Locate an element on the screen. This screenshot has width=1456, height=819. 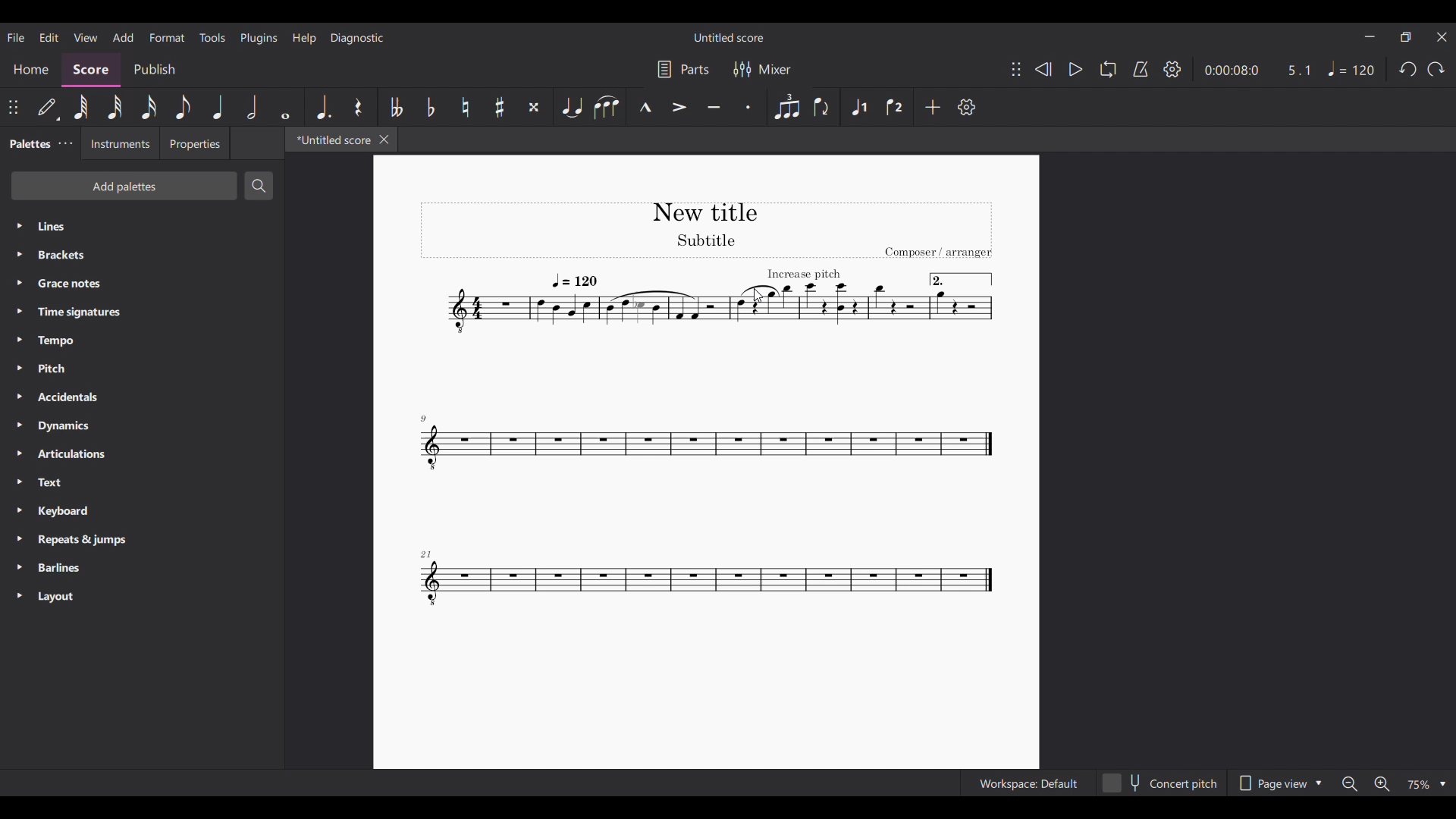
Play is located at coordinates (1069, 69).